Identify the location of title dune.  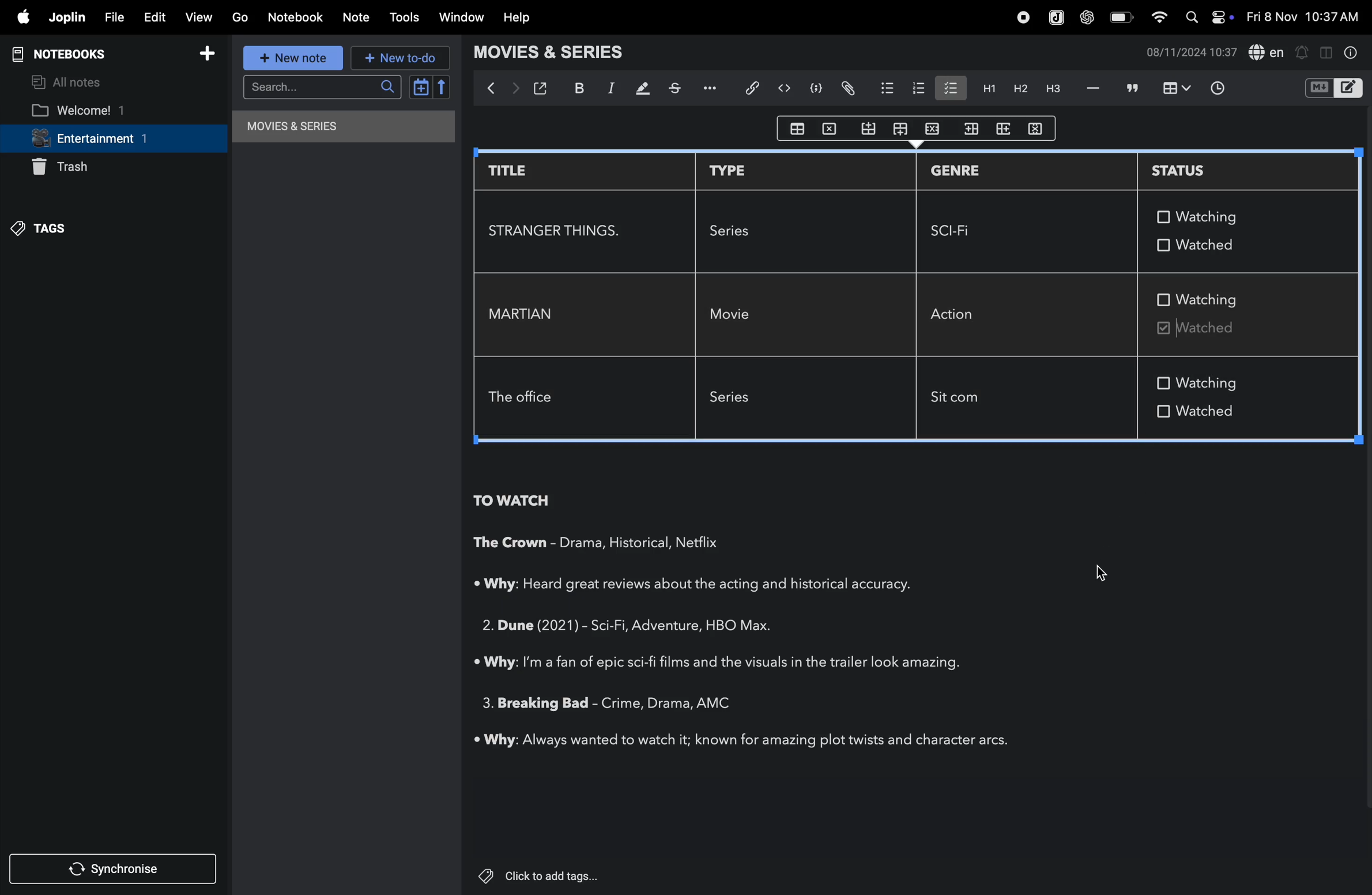
(527, 624).